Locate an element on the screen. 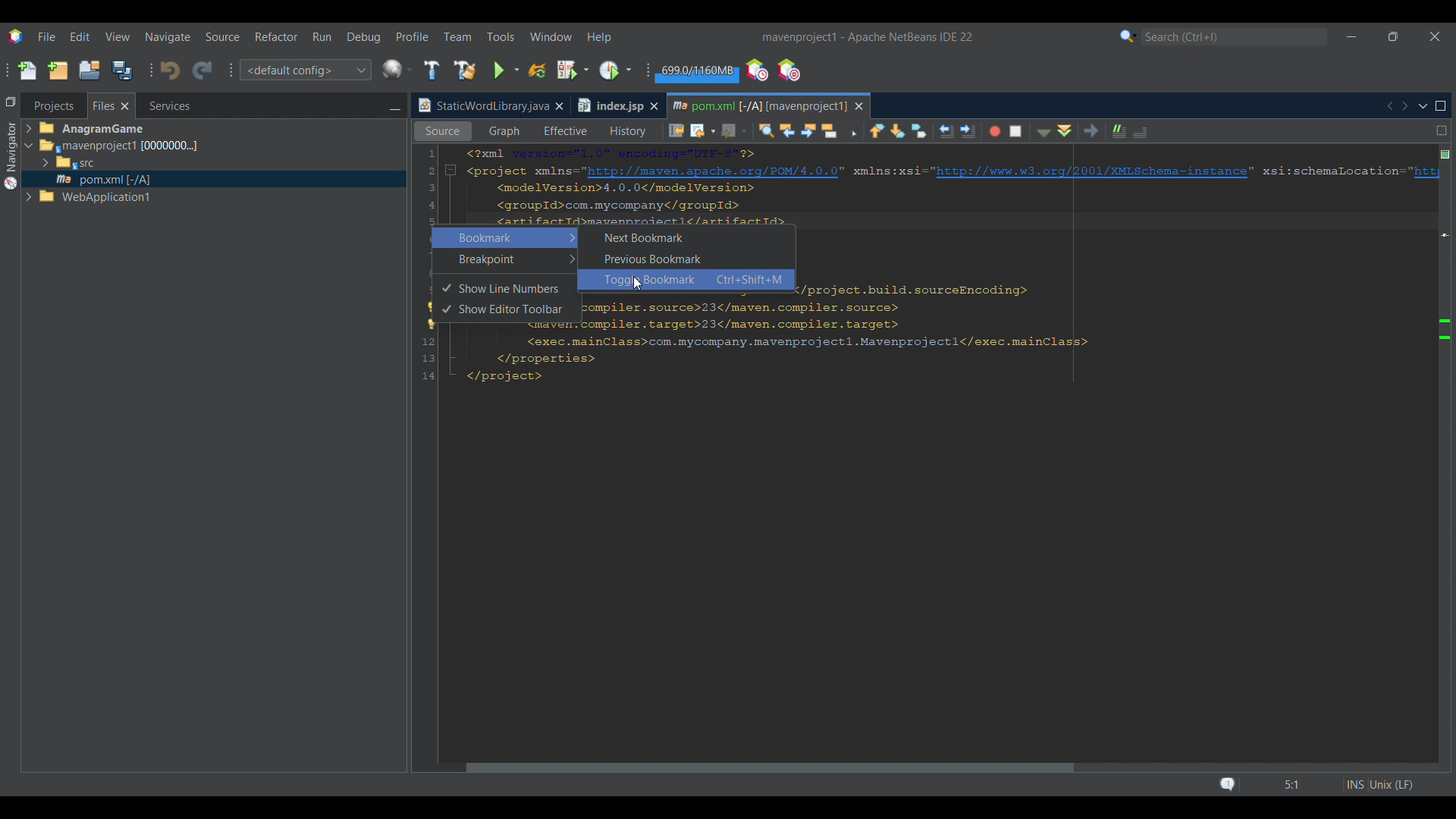 This screenshot has height=819, width=1456. Vertical slide bar is located at coordinates (1436, 461).